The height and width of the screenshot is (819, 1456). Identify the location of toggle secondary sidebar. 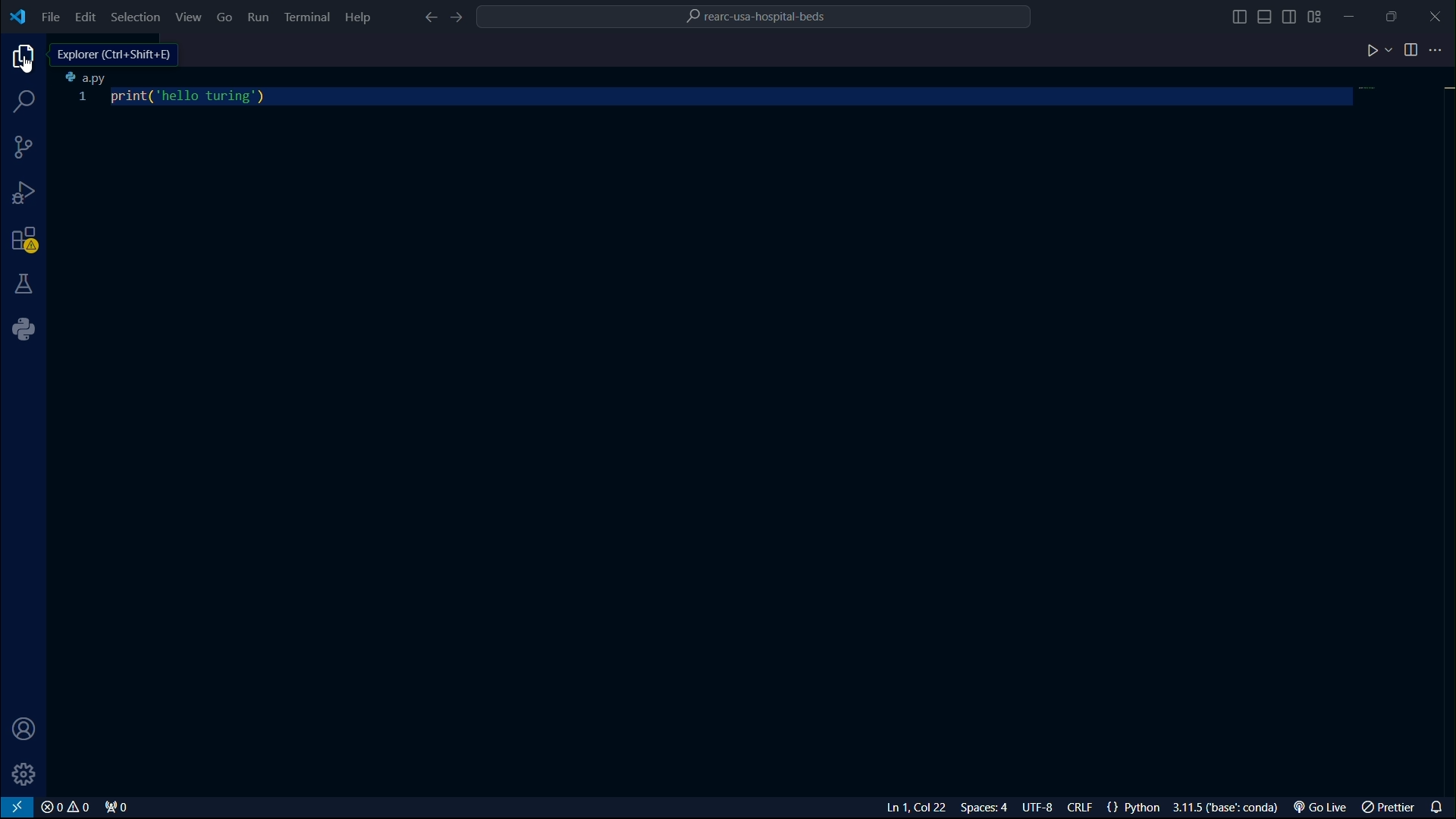
(1291, 14).